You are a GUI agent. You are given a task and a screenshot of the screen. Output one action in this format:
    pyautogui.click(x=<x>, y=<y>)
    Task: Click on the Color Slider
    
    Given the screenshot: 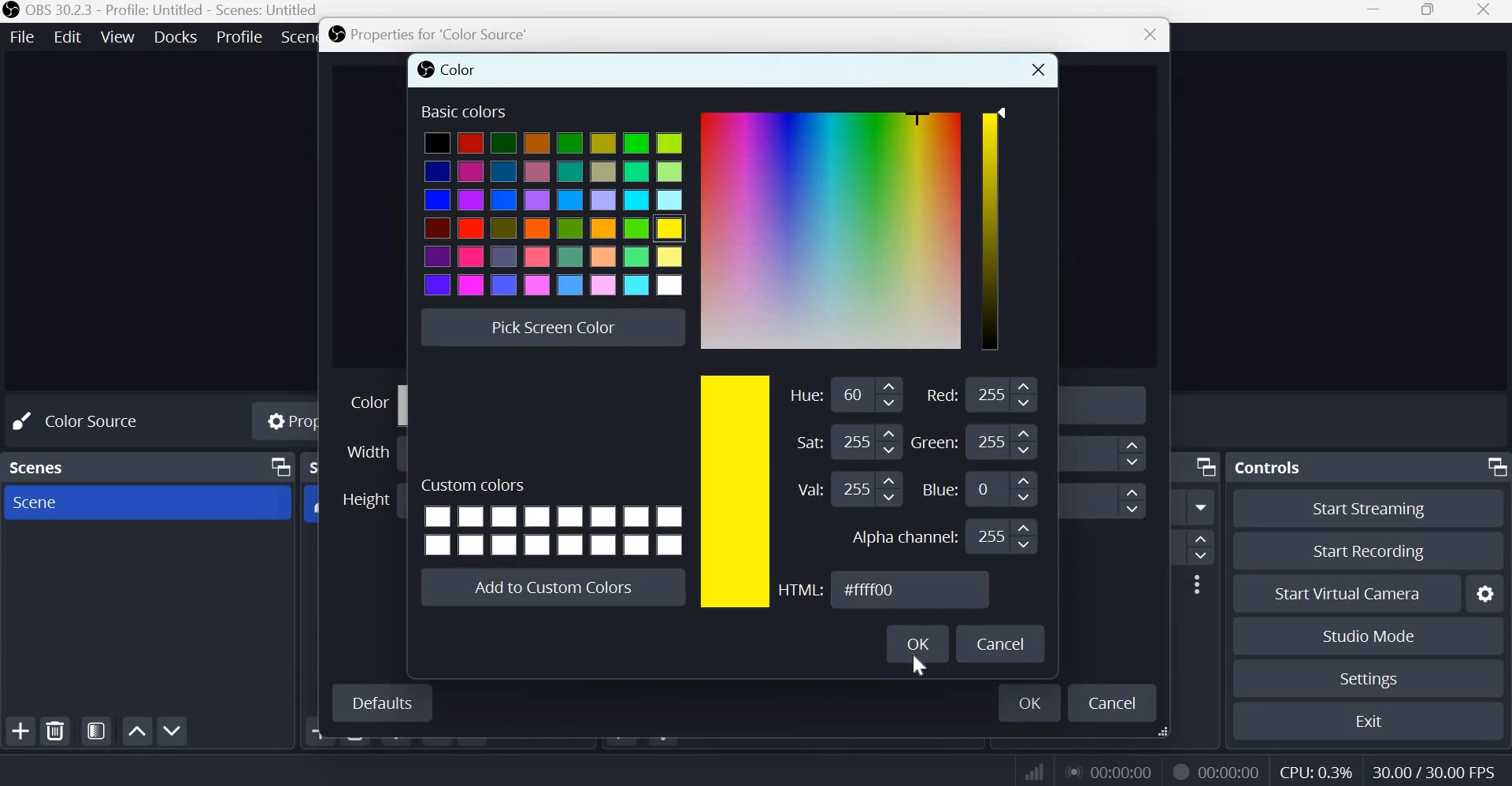 What is the action you would take?
    pyautogui.click(x=1017, y=115)
    